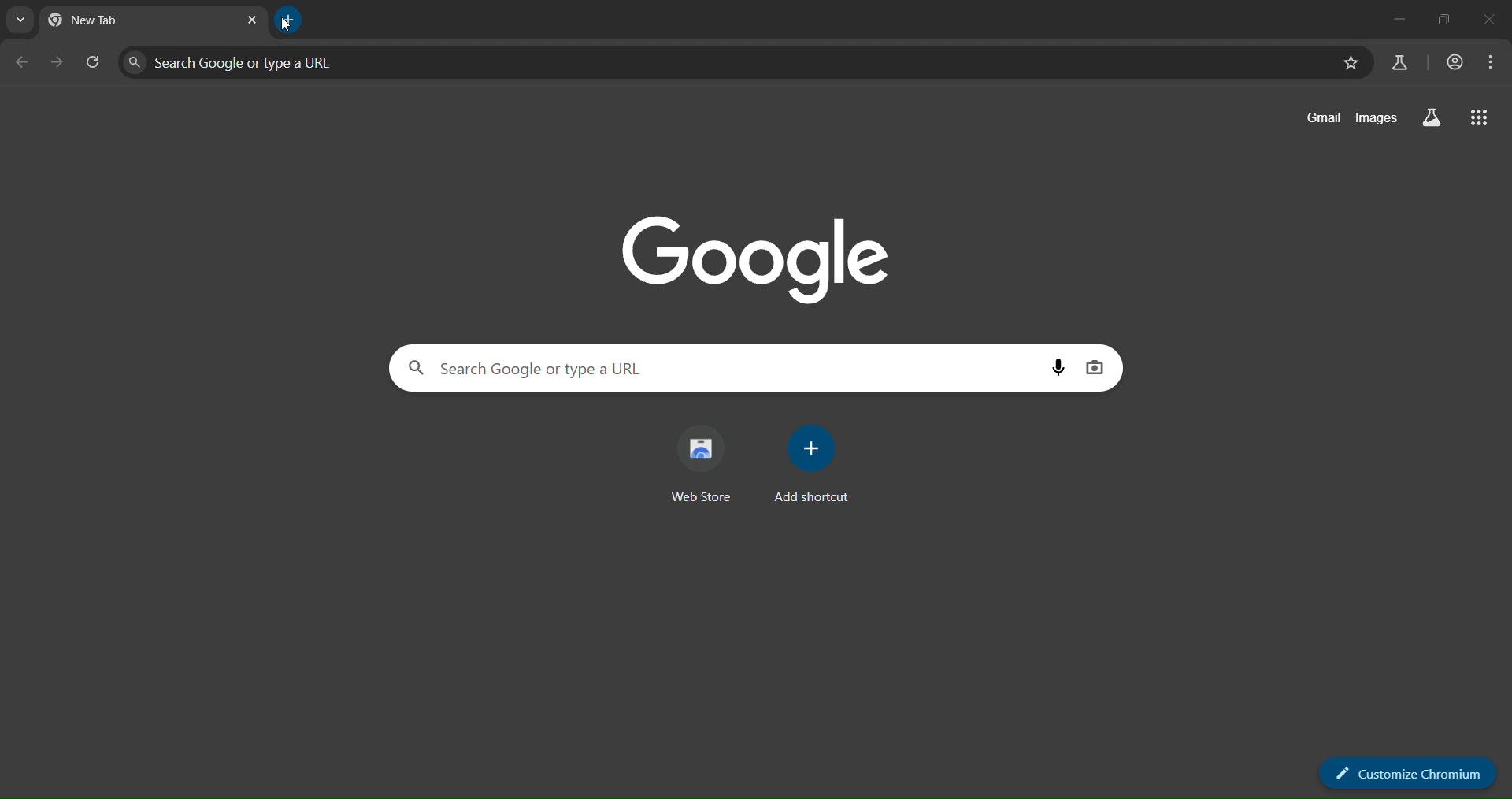 The height and width of the screenshot is (799, 1512). I want to click on Search Google or type a URL, so click(720, 61).